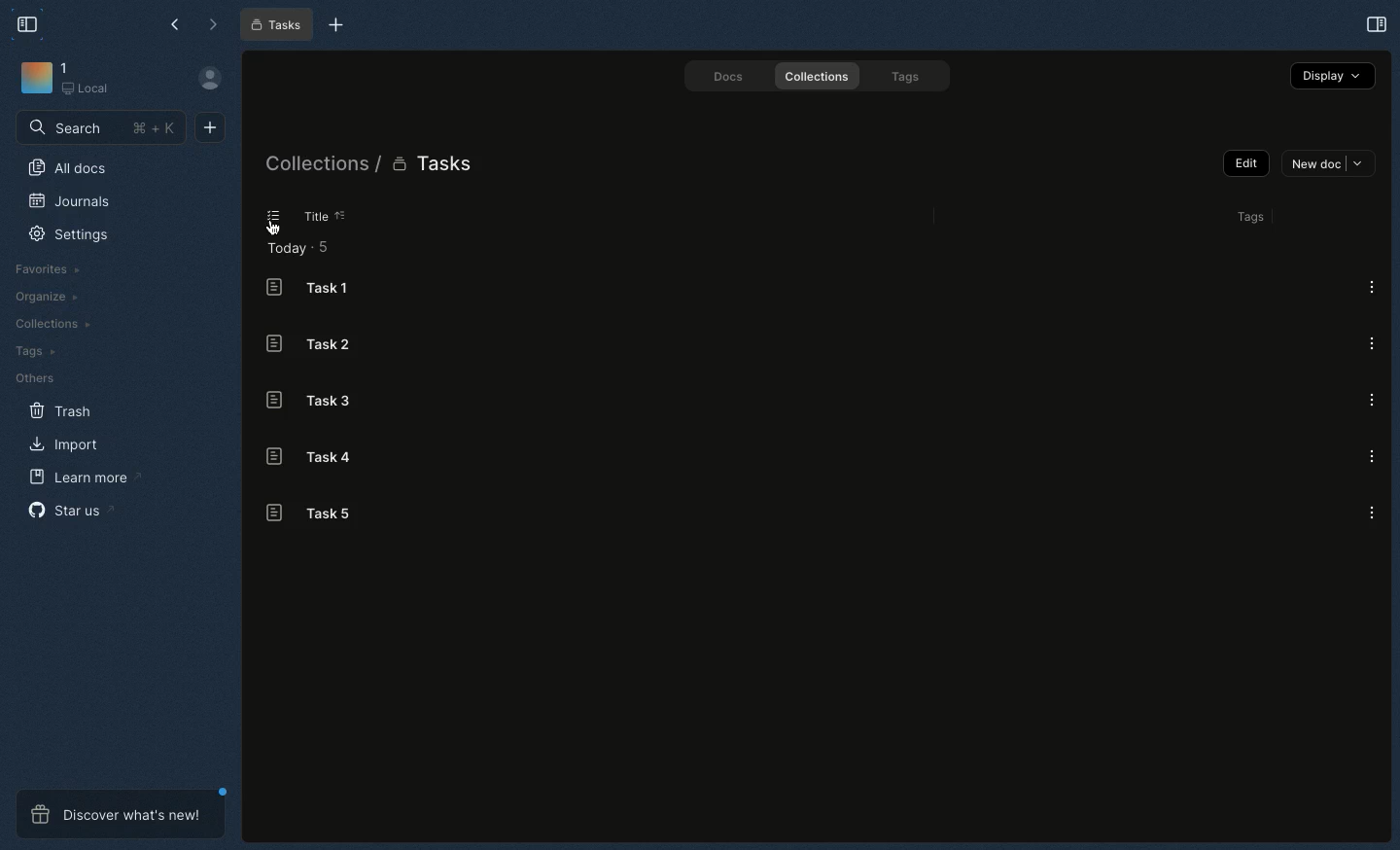 Image resolution: width=1400 pixels, height=850 pixels. What do you see at coordinates (69, 234) in the screenshot?
I see `Settings` at bounding box center [69, 234].